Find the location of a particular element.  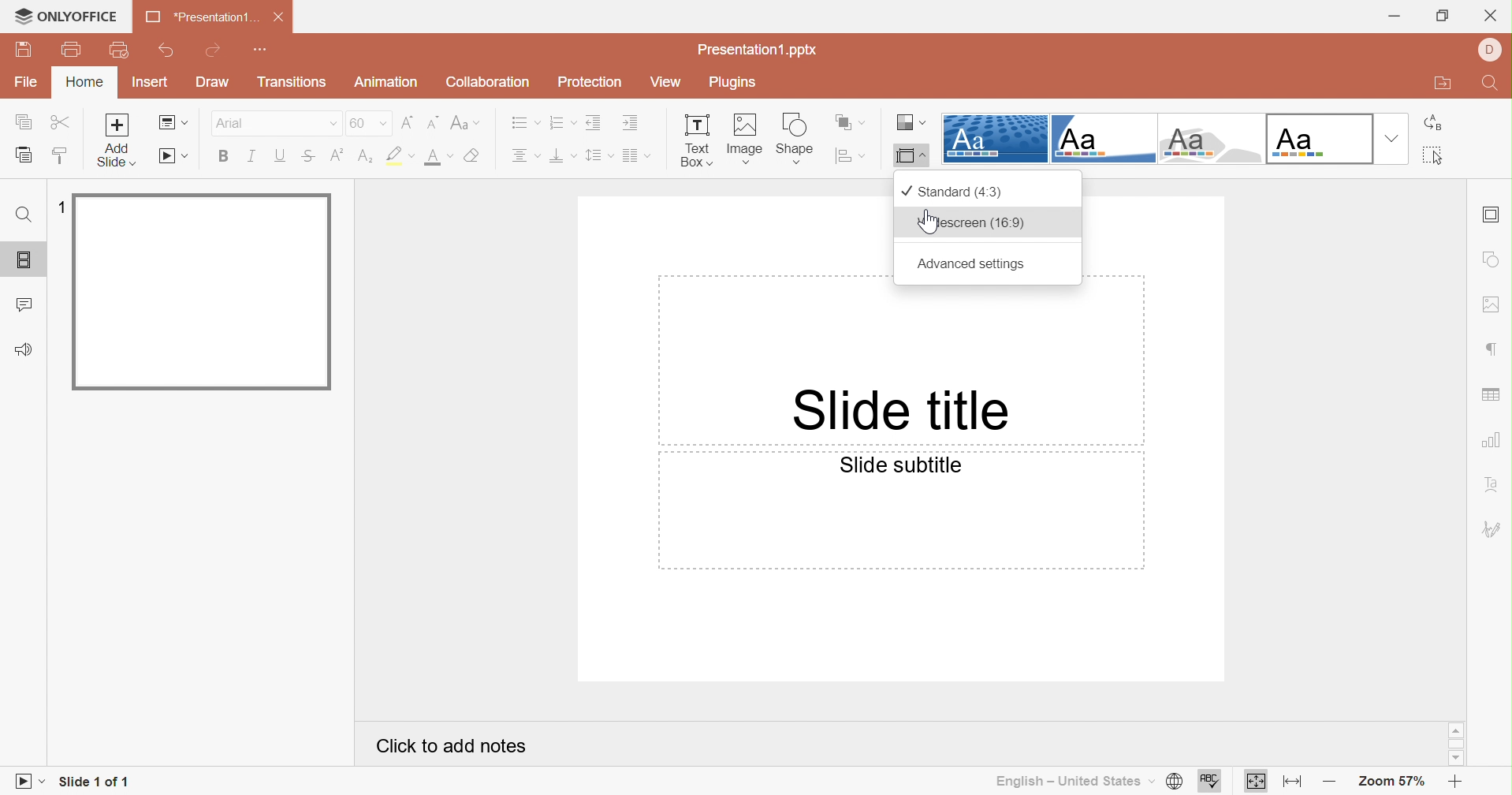

Increase indent is located at coordinates (630, 121).